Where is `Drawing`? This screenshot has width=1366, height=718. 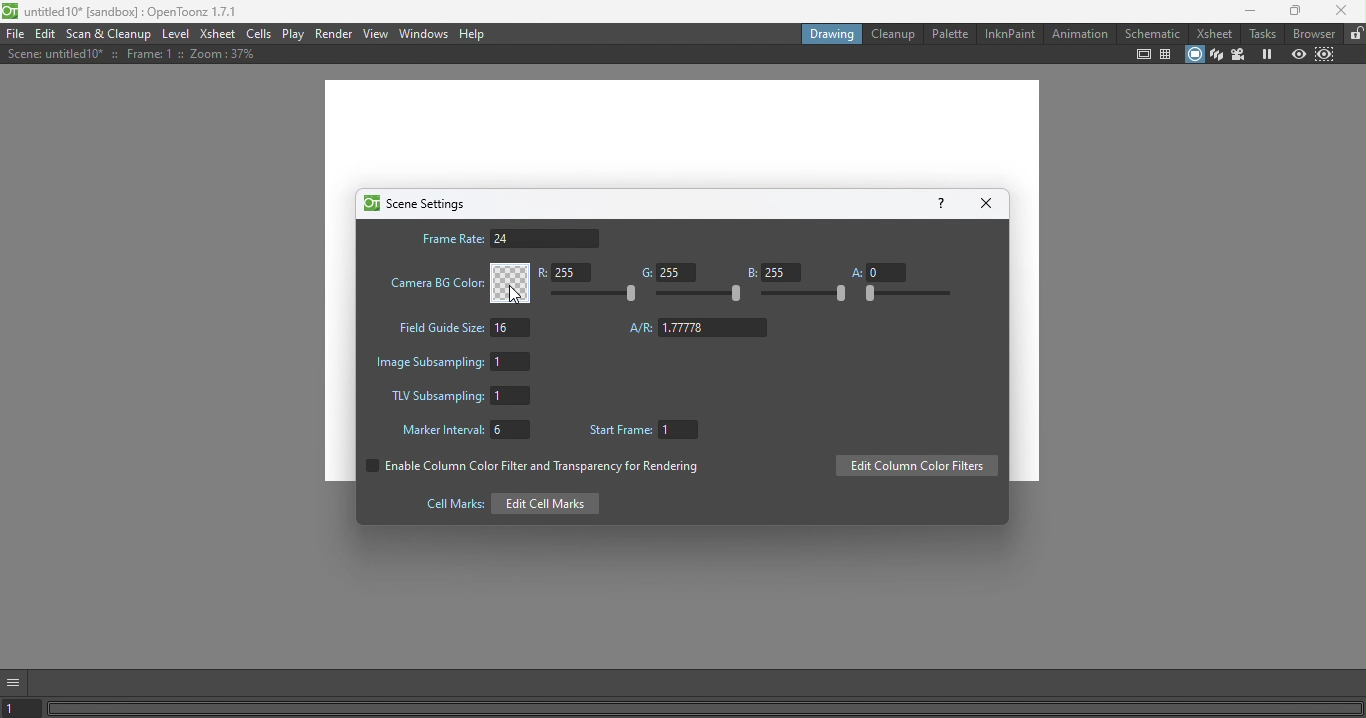 Drawing is located at coordinates (830, 33).